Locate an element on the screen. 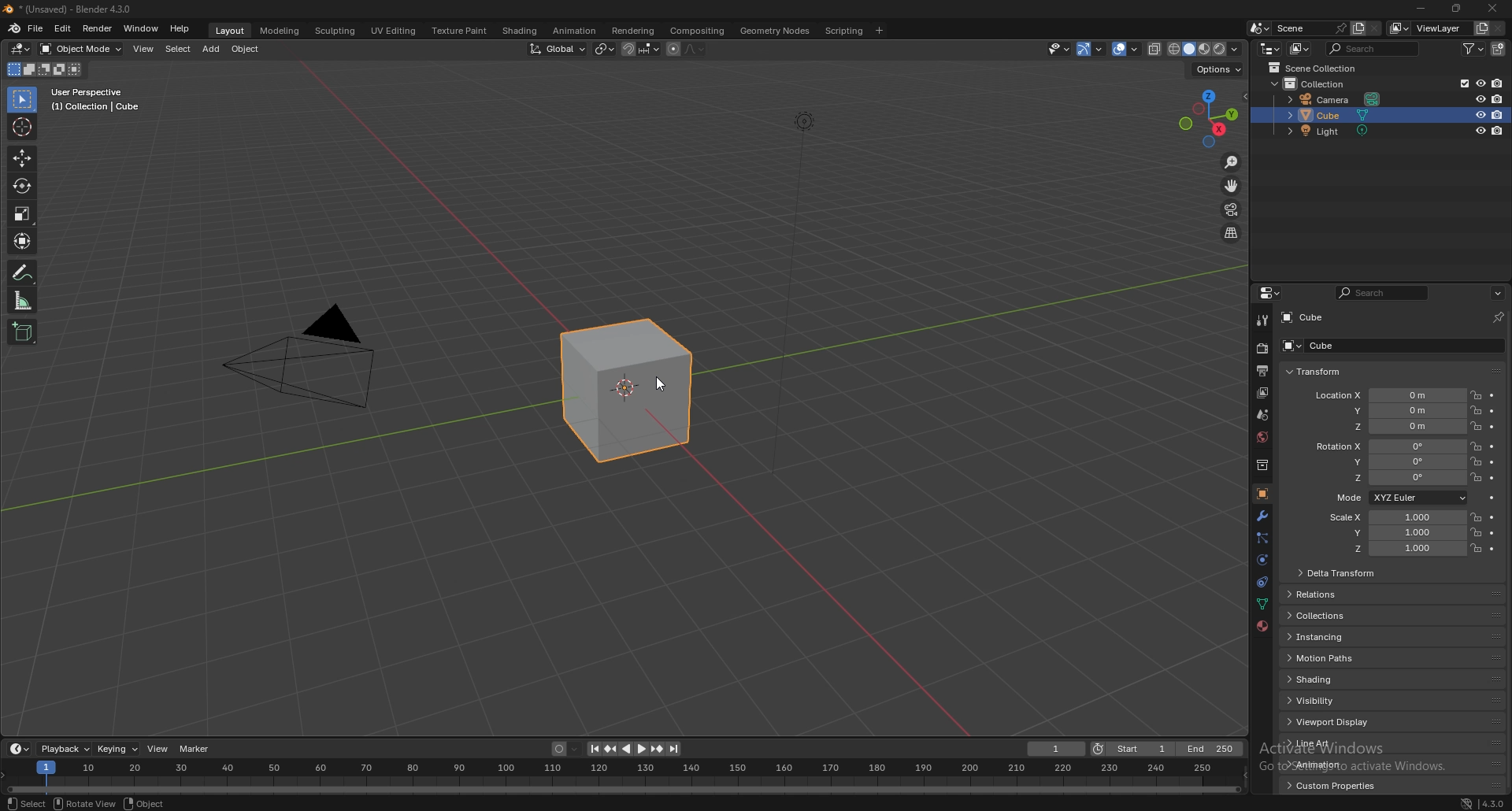  editor type is located at coordinates (1271, 294).